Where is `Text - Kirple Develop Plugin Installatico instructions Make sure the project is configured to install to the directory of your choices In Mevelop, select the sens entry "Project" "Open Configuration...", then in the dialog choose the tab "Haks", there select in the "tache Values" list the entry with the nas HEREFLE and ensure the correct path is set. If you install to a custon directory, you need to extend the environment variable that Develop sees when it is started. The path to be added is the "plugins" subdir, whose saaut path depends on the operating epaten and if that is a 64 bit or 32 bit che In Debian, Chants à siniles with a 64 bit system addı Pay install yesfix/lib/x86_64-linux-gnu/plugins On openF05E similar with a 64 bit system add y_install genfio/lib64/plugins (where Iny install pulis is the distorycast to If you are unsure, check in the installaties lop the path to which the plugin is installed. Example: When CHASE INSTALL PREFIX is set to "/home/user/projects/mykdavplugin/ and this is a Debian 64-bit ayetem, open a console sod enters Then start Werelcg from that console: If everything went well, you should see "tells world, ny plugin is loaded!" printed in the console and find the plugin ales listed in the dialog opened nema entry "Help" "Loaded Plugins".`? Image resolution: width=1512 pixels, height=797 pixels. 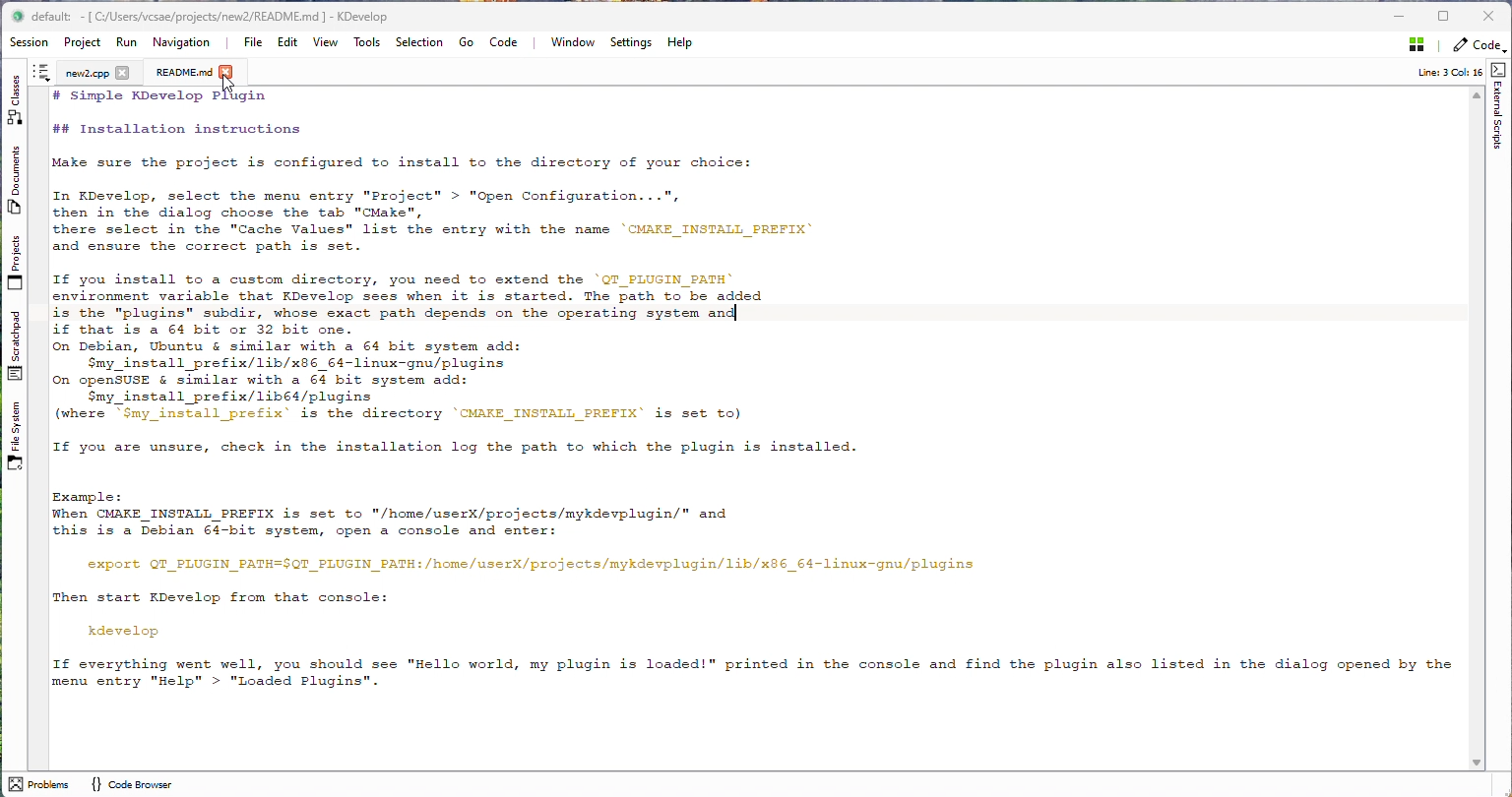
Text - Kirple Develop Plugin Installatico instructions Make sure the project is configured to install to the directory of your choices In Mevelop, select the sens entry "Project" "Open Configuration...", then in the dialog choose the tab "Haks", there select in the "tache Values" list the entry with the nas HEREFLE and ensure the correct path is set. If you install to a custon directory, you need to extend the environment variable that Develop sees when it is started. The path to be added is the "plugins" subdir, whose saaut path depends on the operating epaten and if that is a 64 bit or 32 bit che In Debian, Chants à siniles with a 64 bit system addı Pay install yesfix/lib/x86_64-linux-gnu/plugins On openF05E similar with a 64 bit system add y_install genfio/lib64/plugins (where Iny install pulis is the distorycast to If you are unsure, check in the installaties lop the path to which the plugin is installed. Example: When CHASE INSTALL PREFIX is set to "/home/user/projects/mykdavplugin/ and this is a Debian 64-bit ayetem, open a console sod enters Then start Werelcg from that console: If everything went well, you should see "tells world, ny plugin is loaded!" printed in the console and find the plugin ales listed in the dialog opened nema entry "Help" "Loaded Plugins". is located at coordinates (760, 390).